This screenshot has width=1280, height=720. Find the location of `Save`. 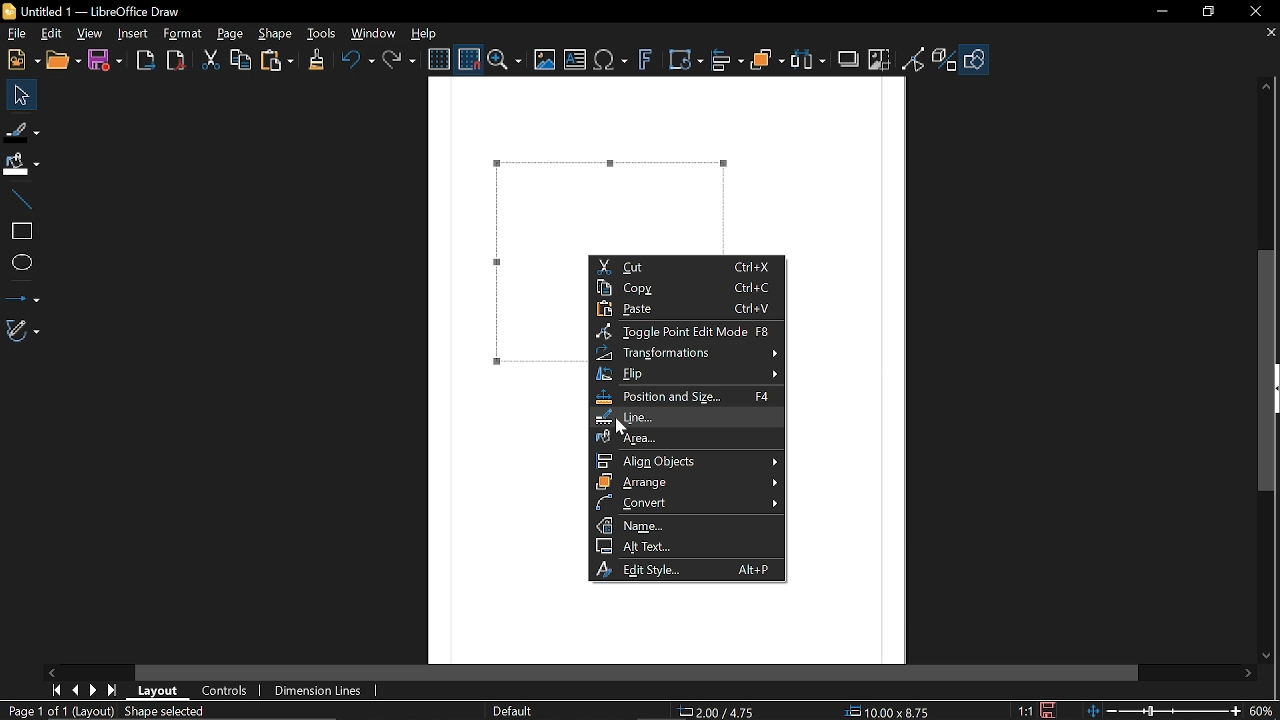

Save is located at coordinates (1049, 710).